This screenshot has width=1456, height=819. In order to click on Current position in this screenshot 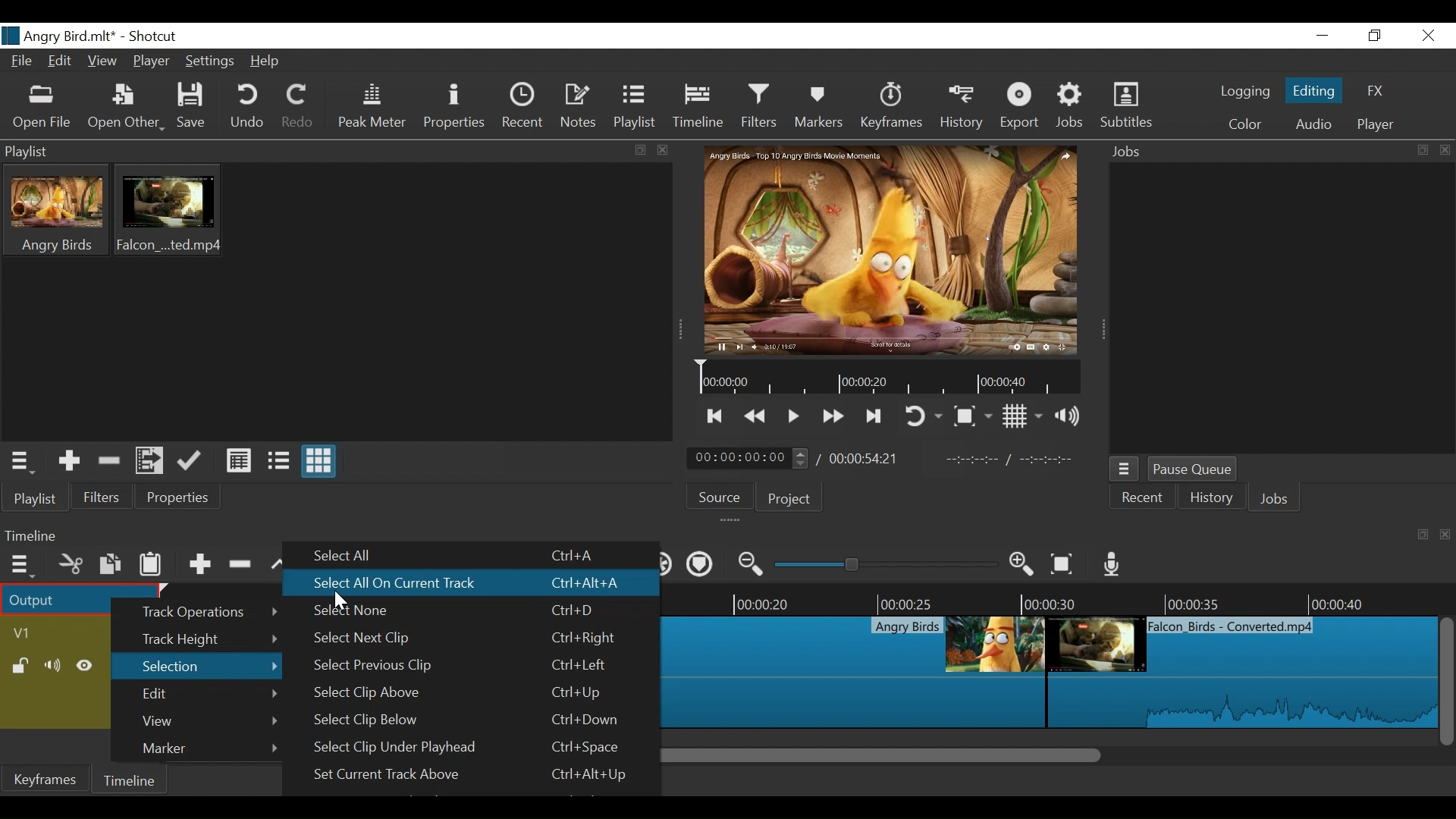, I will do `click(747, 458)`.